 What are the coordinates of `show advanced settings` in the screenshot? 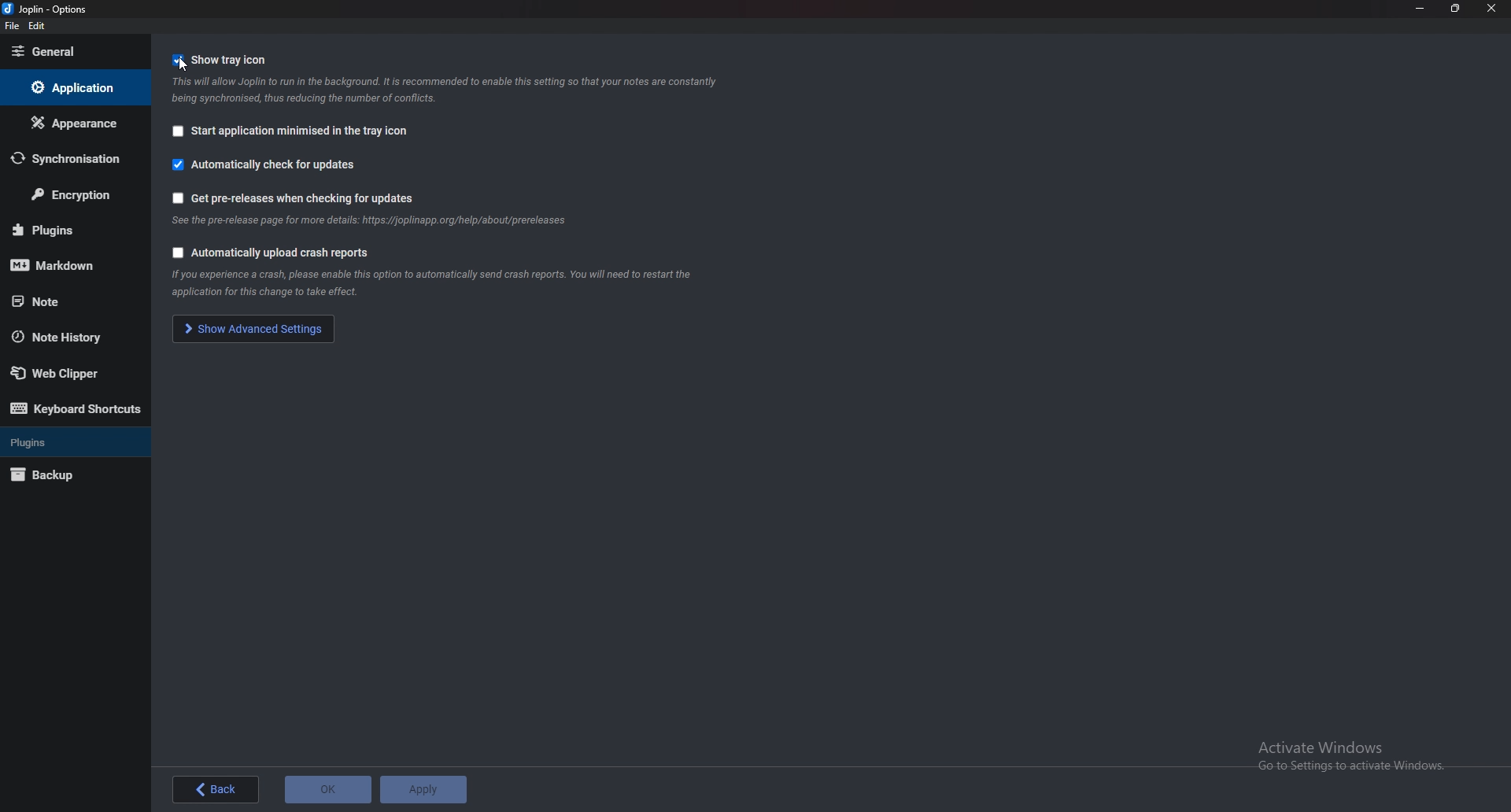 It's located at (256, 328).